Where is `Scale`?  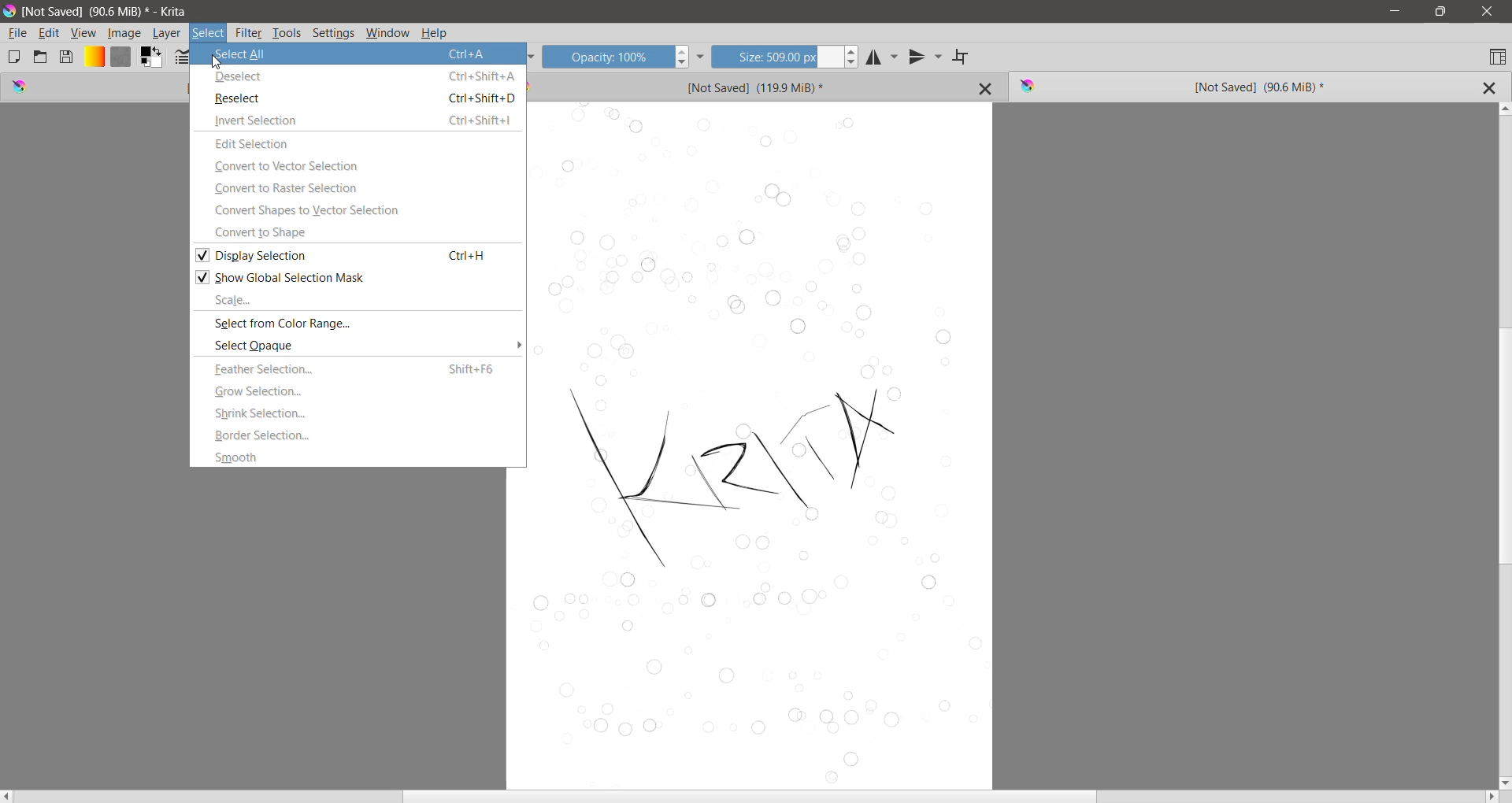
Scale is located at coordinates (358, 299).